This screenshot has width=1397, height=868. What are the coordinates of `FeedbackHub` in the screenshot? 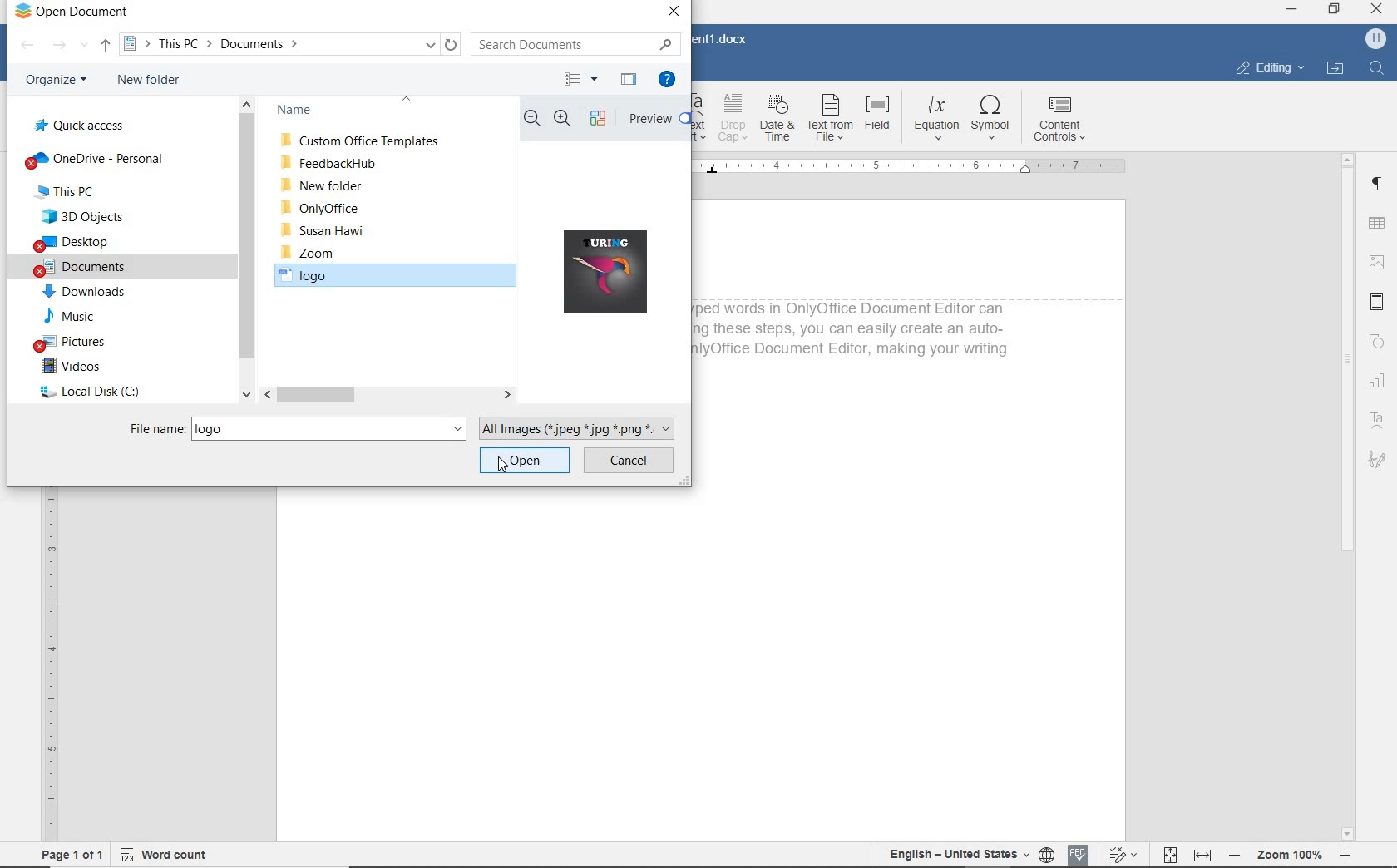 It's located at (328, 163).